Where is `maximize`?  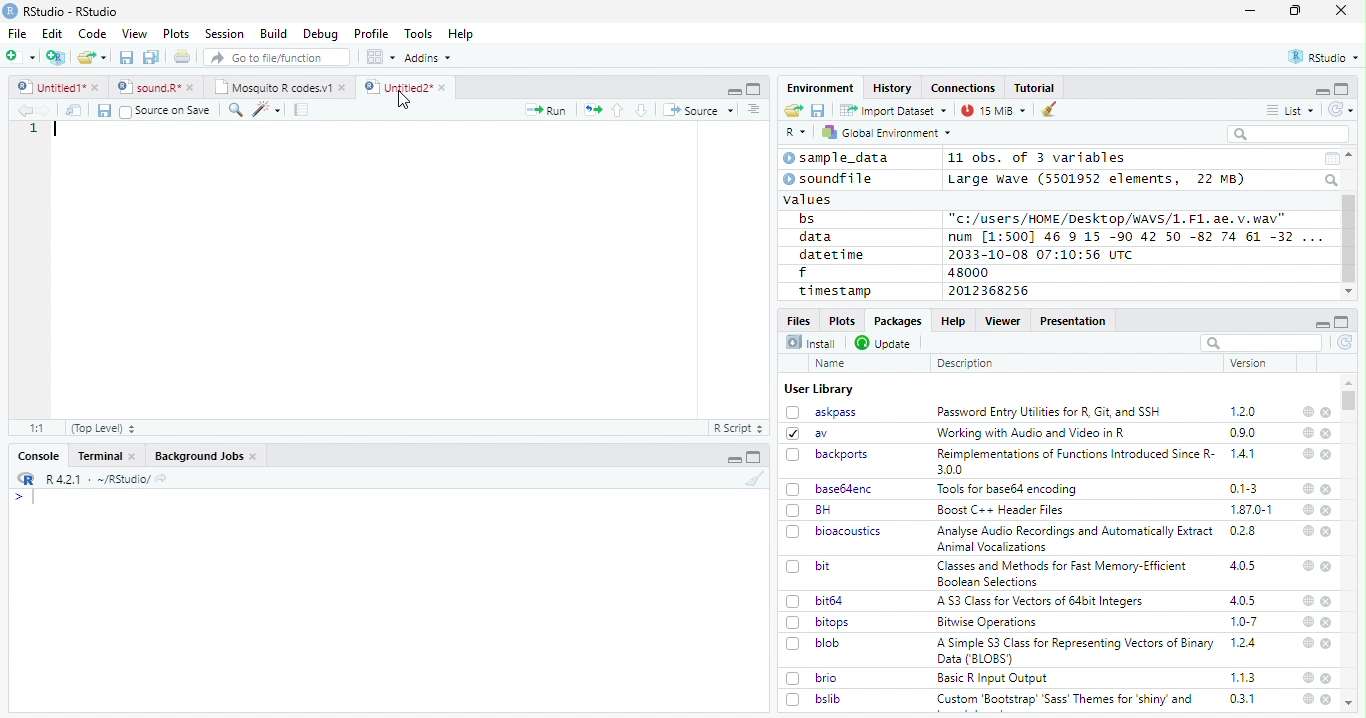
maximize is located at coordinates (1295, 11).